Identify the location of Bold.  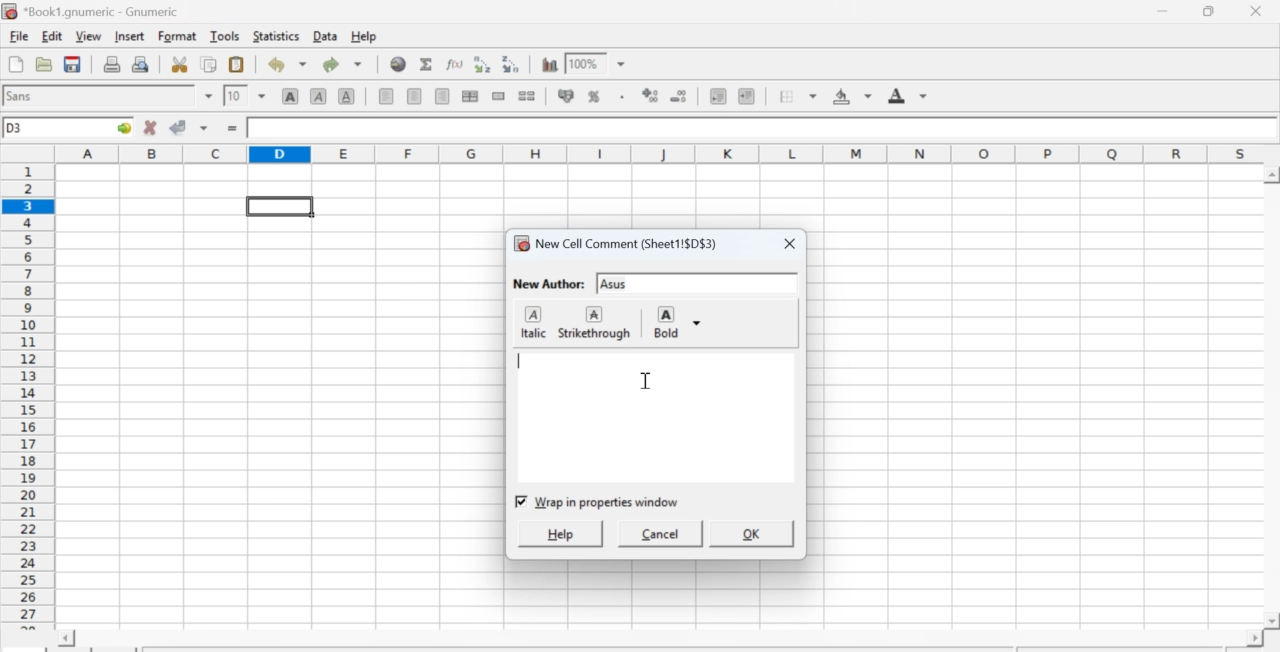
(683, 321).